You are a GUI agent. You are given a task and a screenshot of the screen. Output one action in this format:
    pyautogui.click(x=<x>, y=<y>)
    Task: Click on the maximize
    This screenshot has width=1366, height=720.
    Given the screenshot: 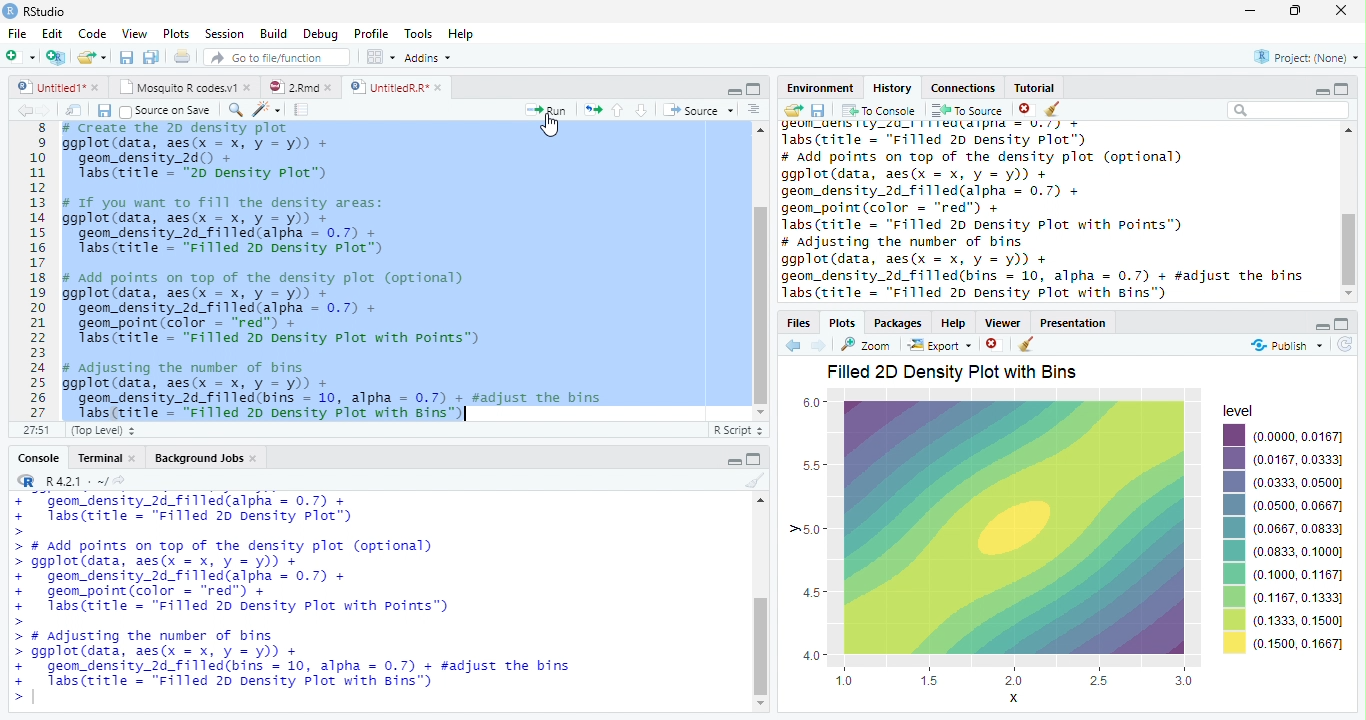 What is the action you would take?
    pyautogui.click(x=1344, y=323)
    